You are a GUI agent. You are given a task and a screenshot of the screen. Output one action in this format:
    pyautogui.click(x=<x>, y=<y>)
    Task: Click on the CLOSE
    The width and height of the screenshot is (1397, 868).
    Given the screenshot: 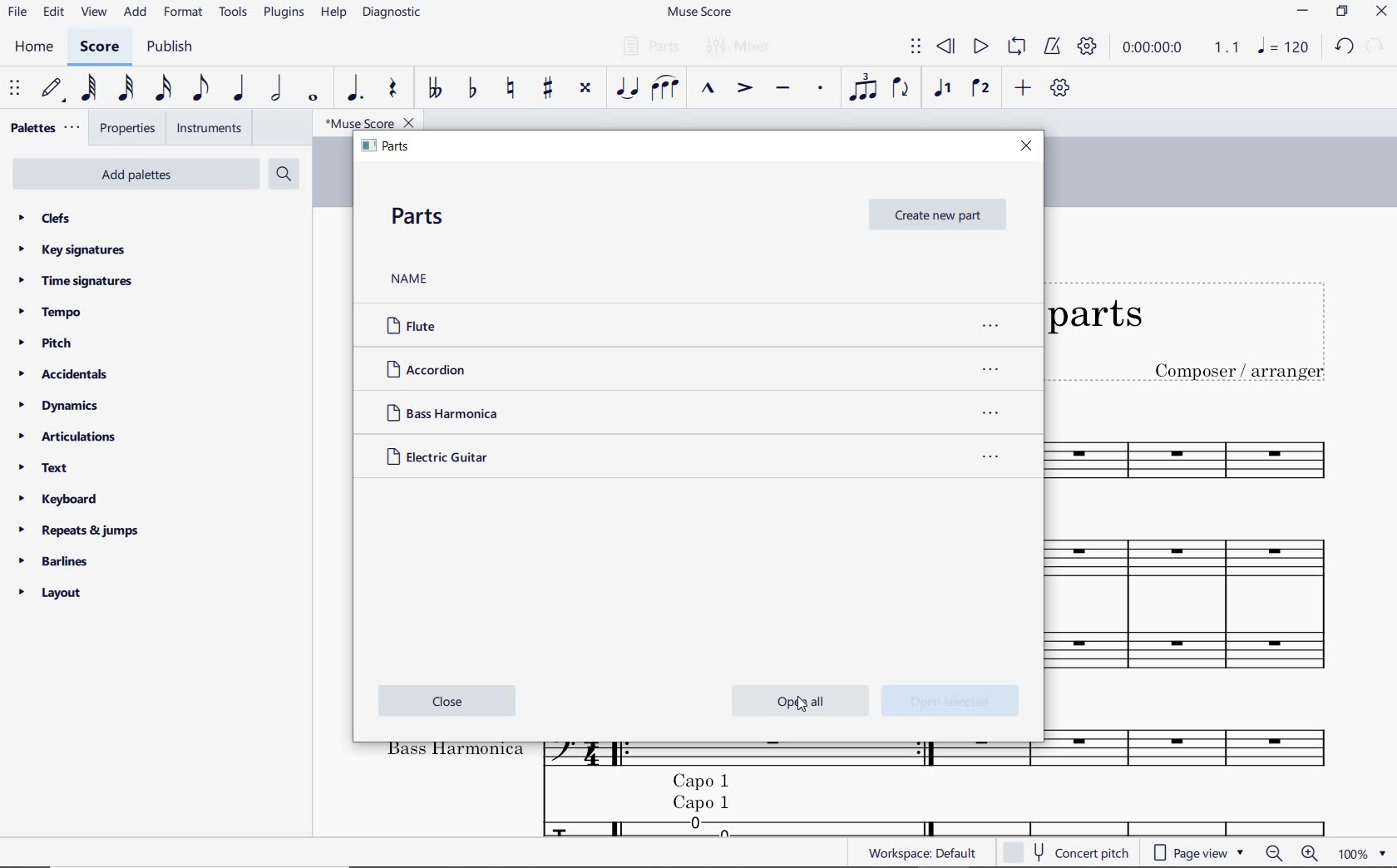 What is the action you would take?
    pyautogui.click(x=1027, y=145)
    